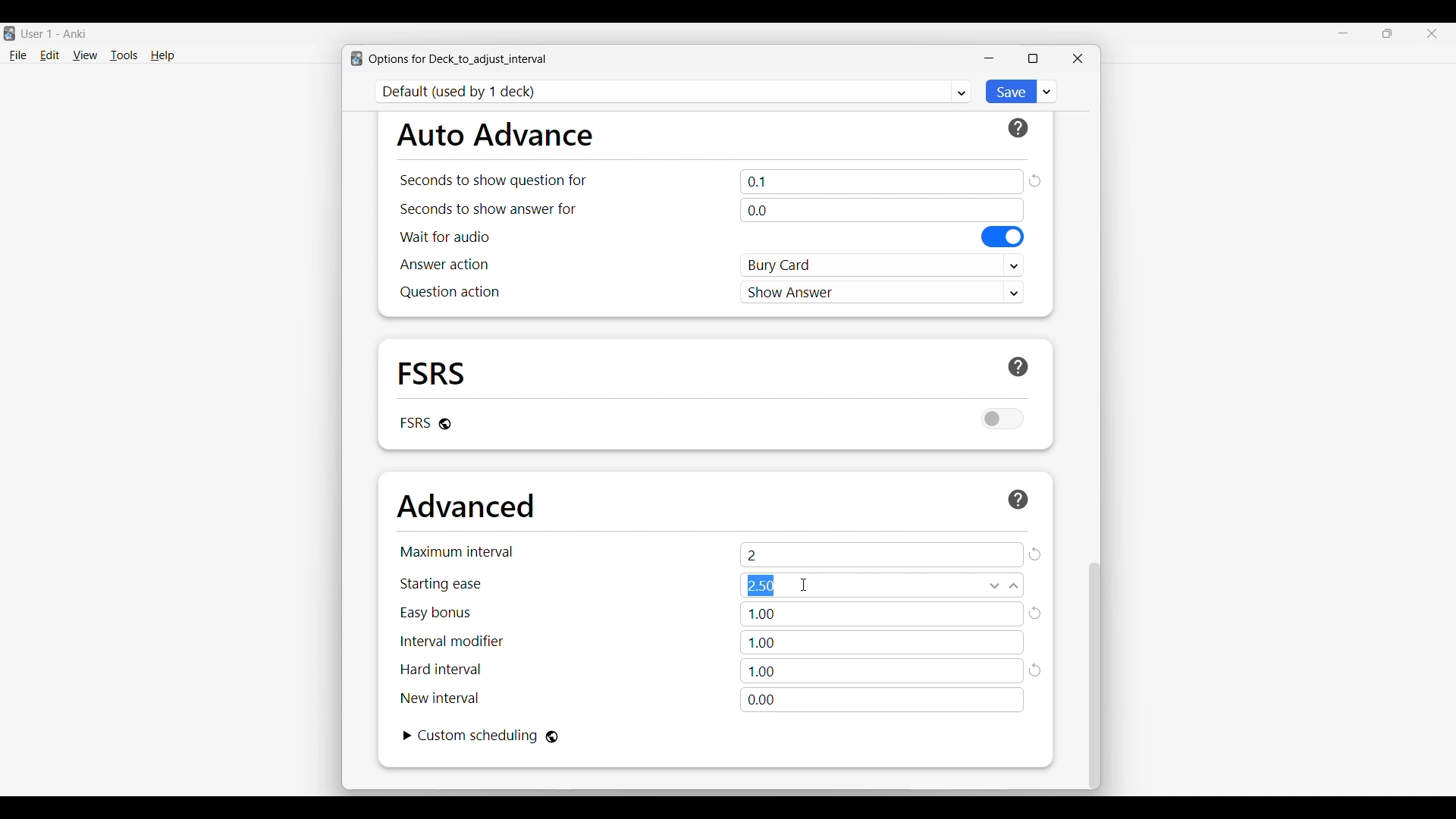  I want to click on Affects the entire collection, so click(552, 737).